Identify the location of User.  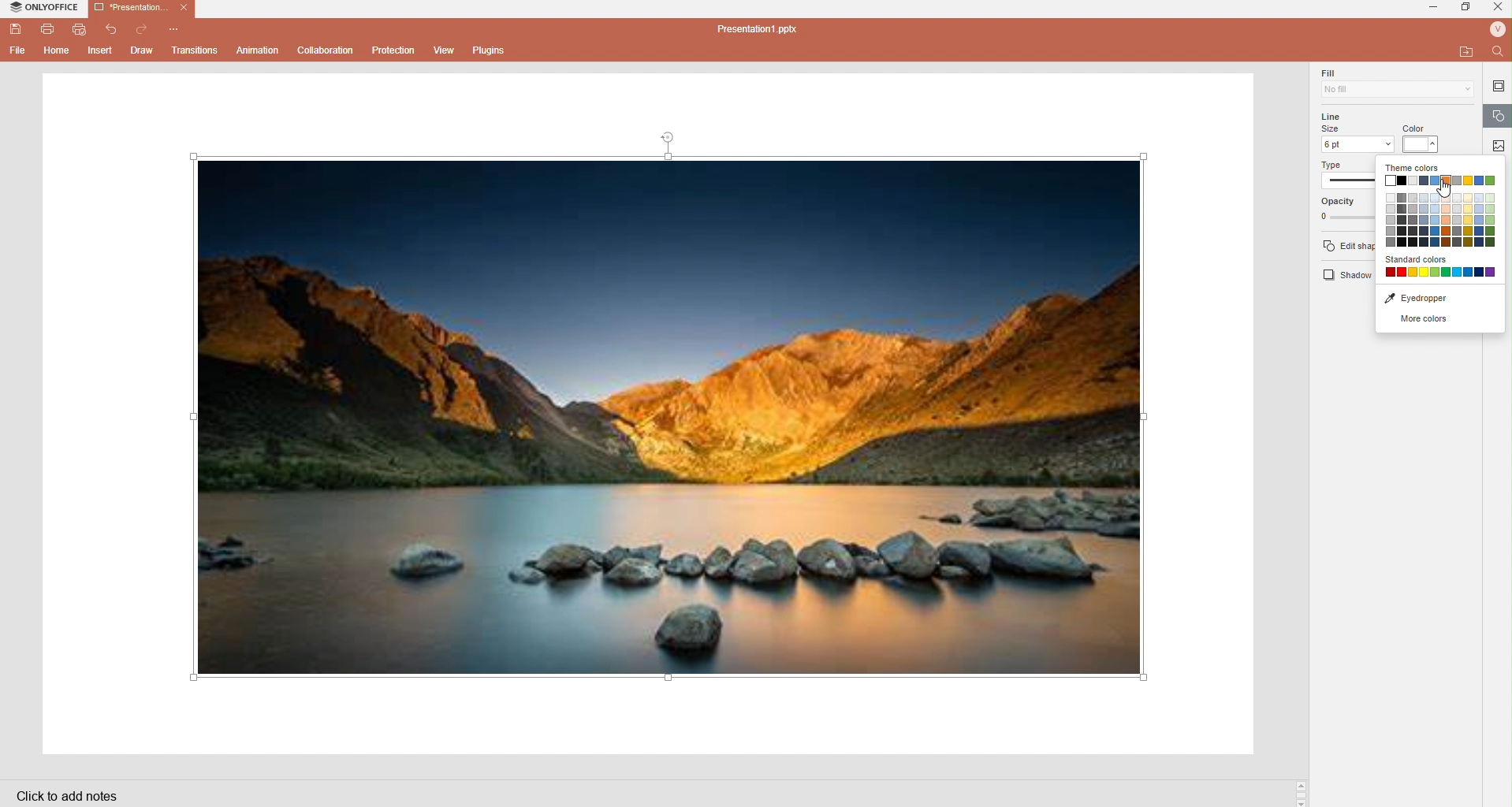
(1497, 30).